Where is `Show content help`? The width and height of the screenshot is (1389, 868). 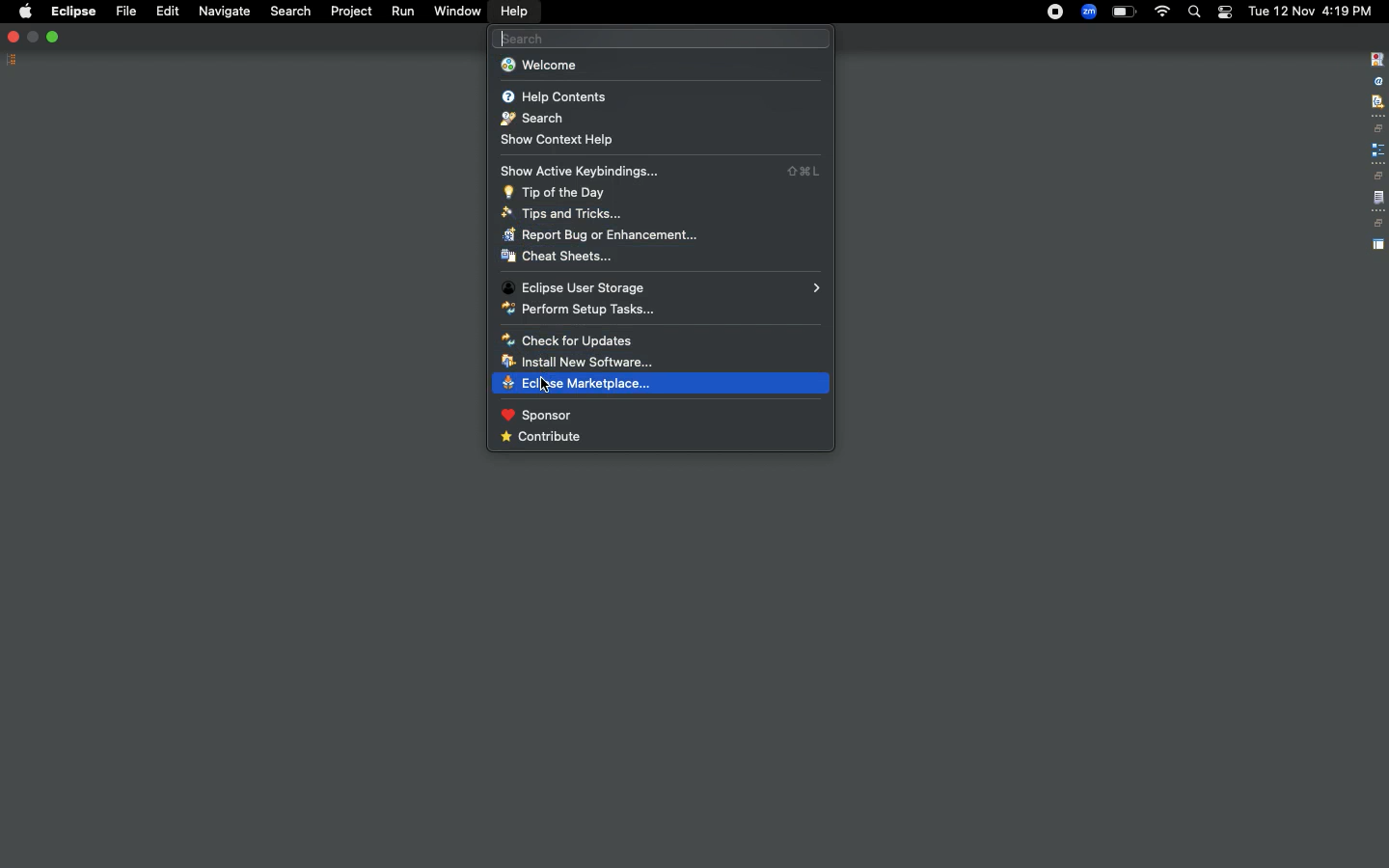
Show content help is located at coordinates (566, 141).